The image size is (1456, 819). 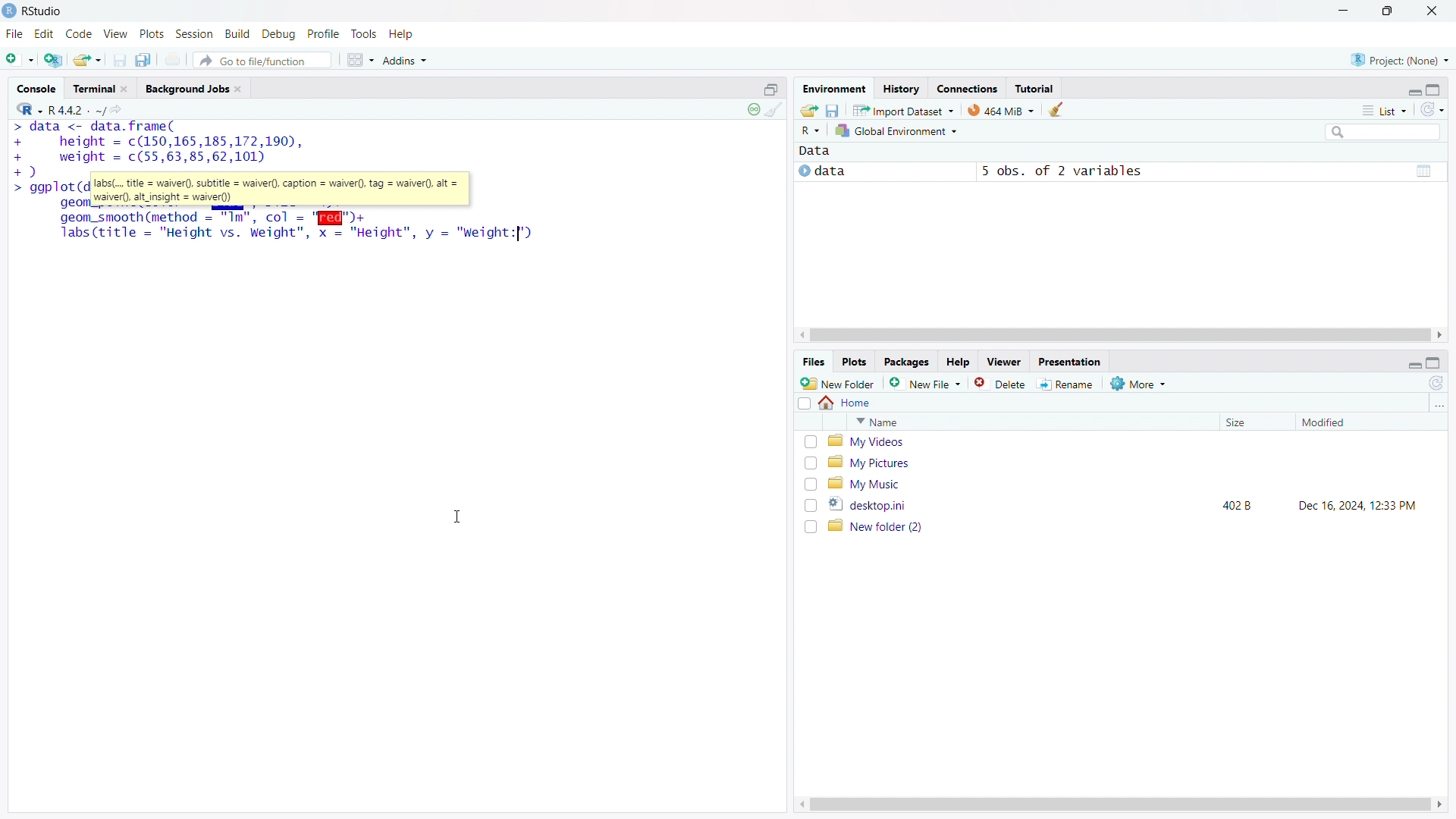 I want to click on select individual entries, so click(x=810, y=485).